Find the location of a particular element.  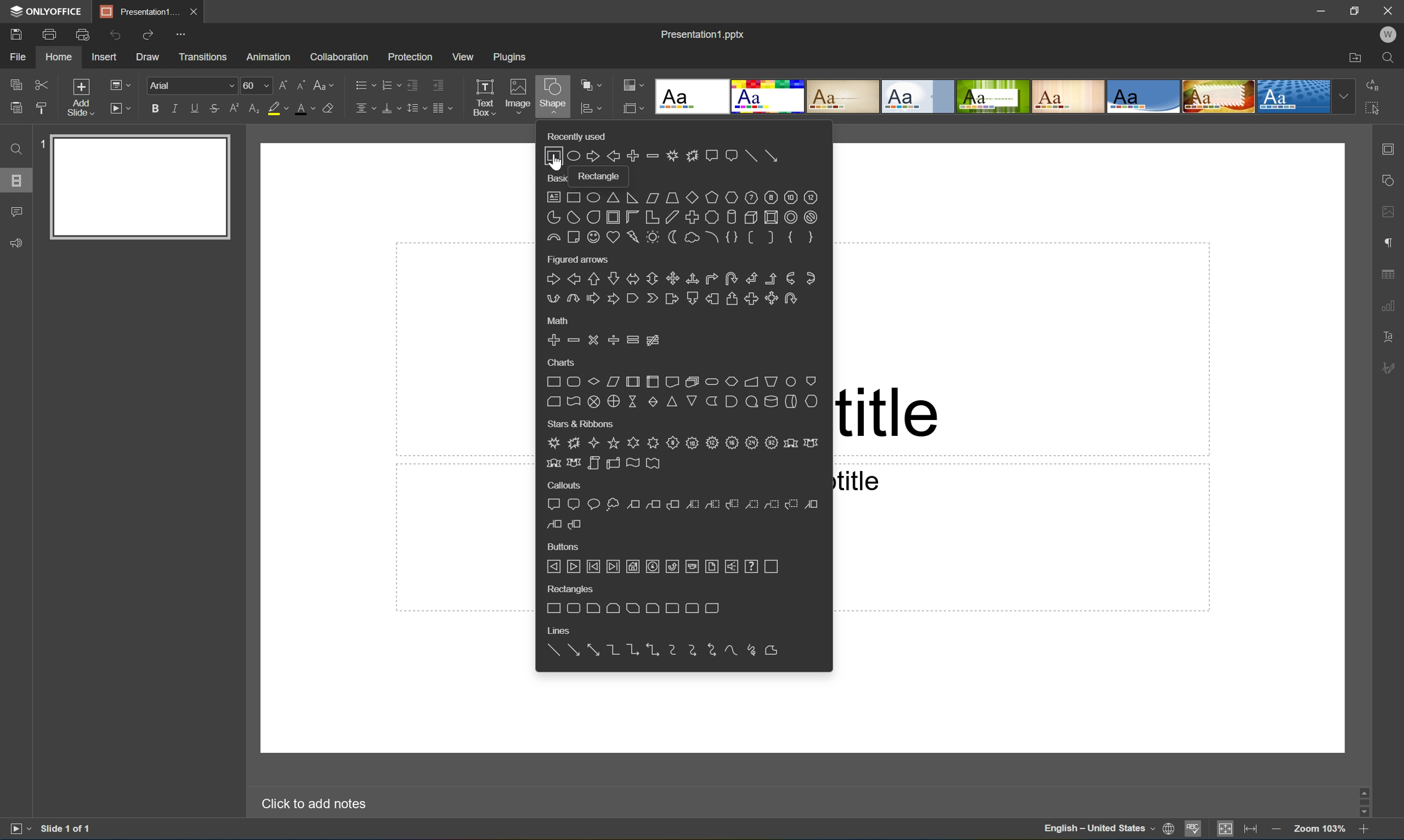

Add slide is located at coordinates (78, 96).